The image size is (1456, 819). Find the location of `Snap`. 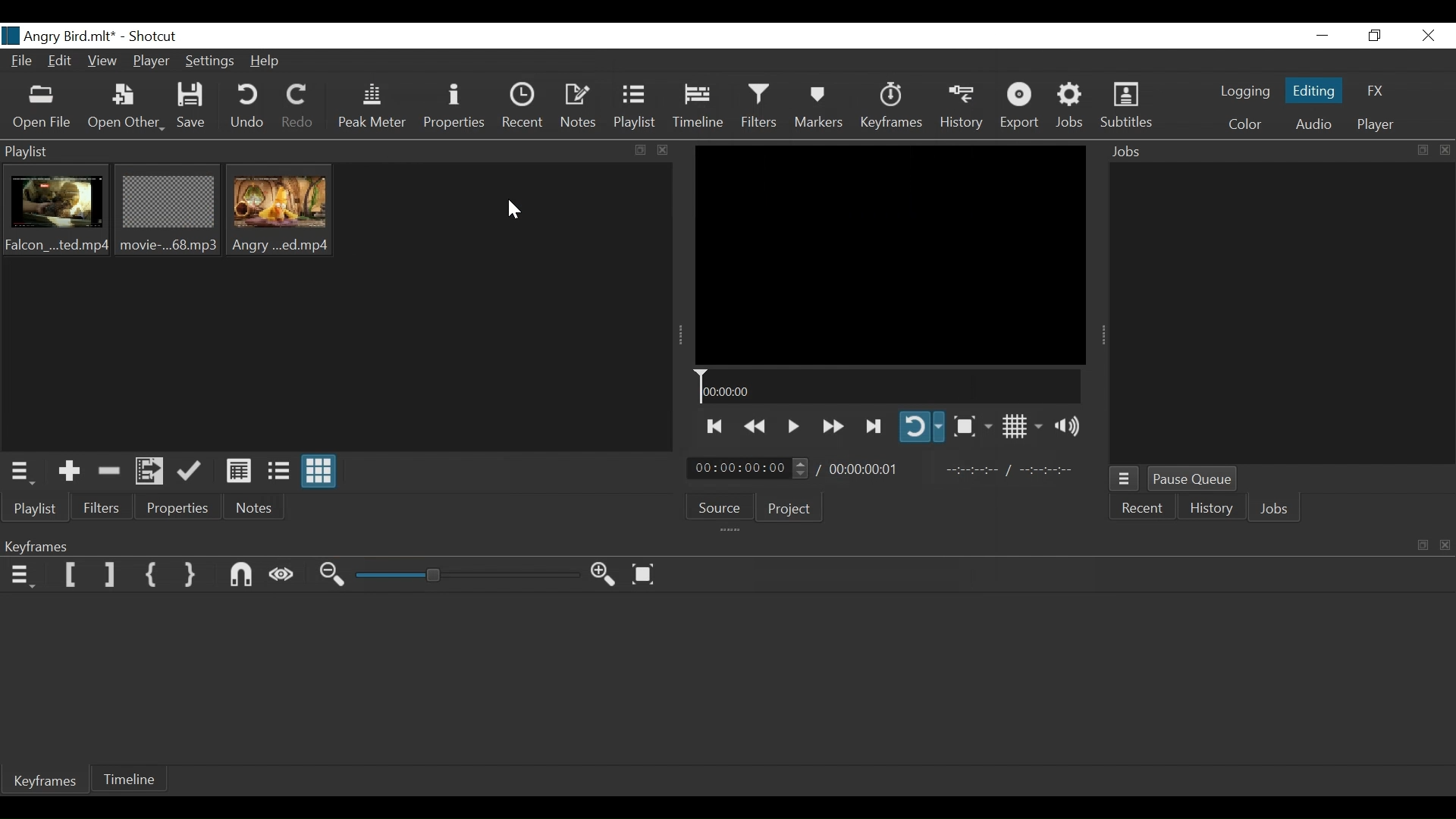

Snap is located at coordinates (243, 576).